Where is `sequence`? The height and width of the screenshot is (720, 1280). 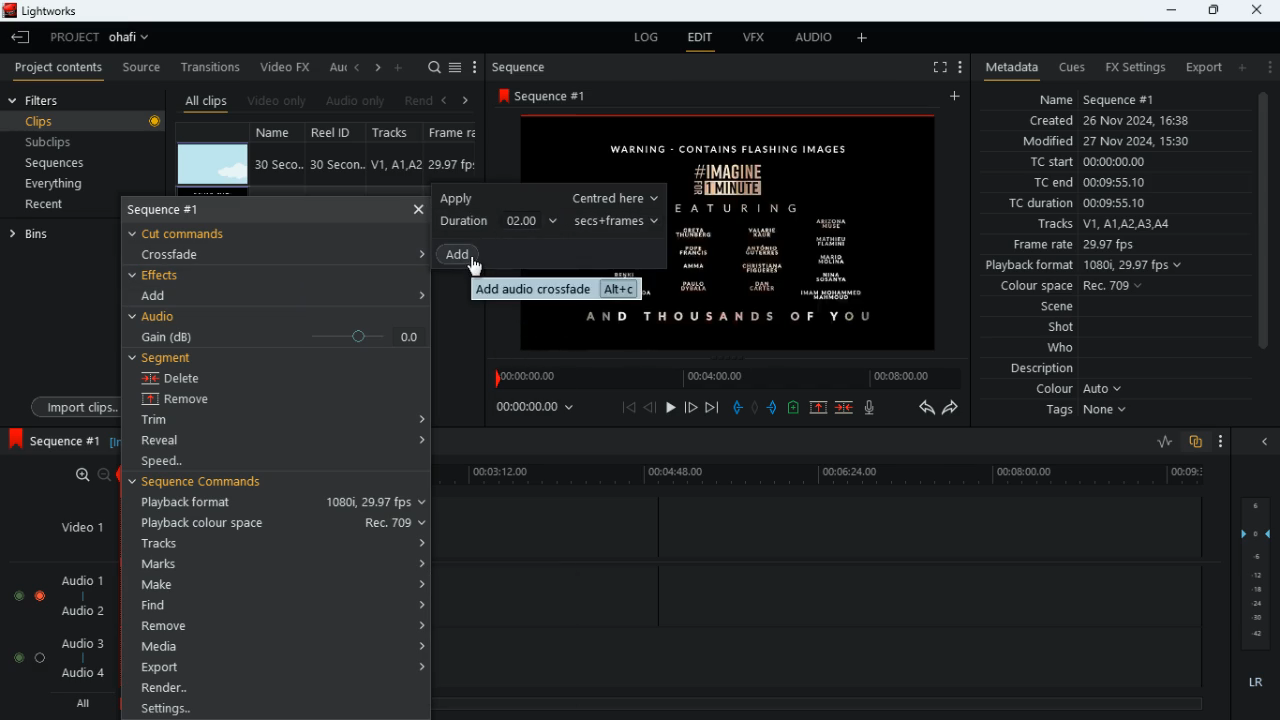
sequence is located at coordinates (558, 95).